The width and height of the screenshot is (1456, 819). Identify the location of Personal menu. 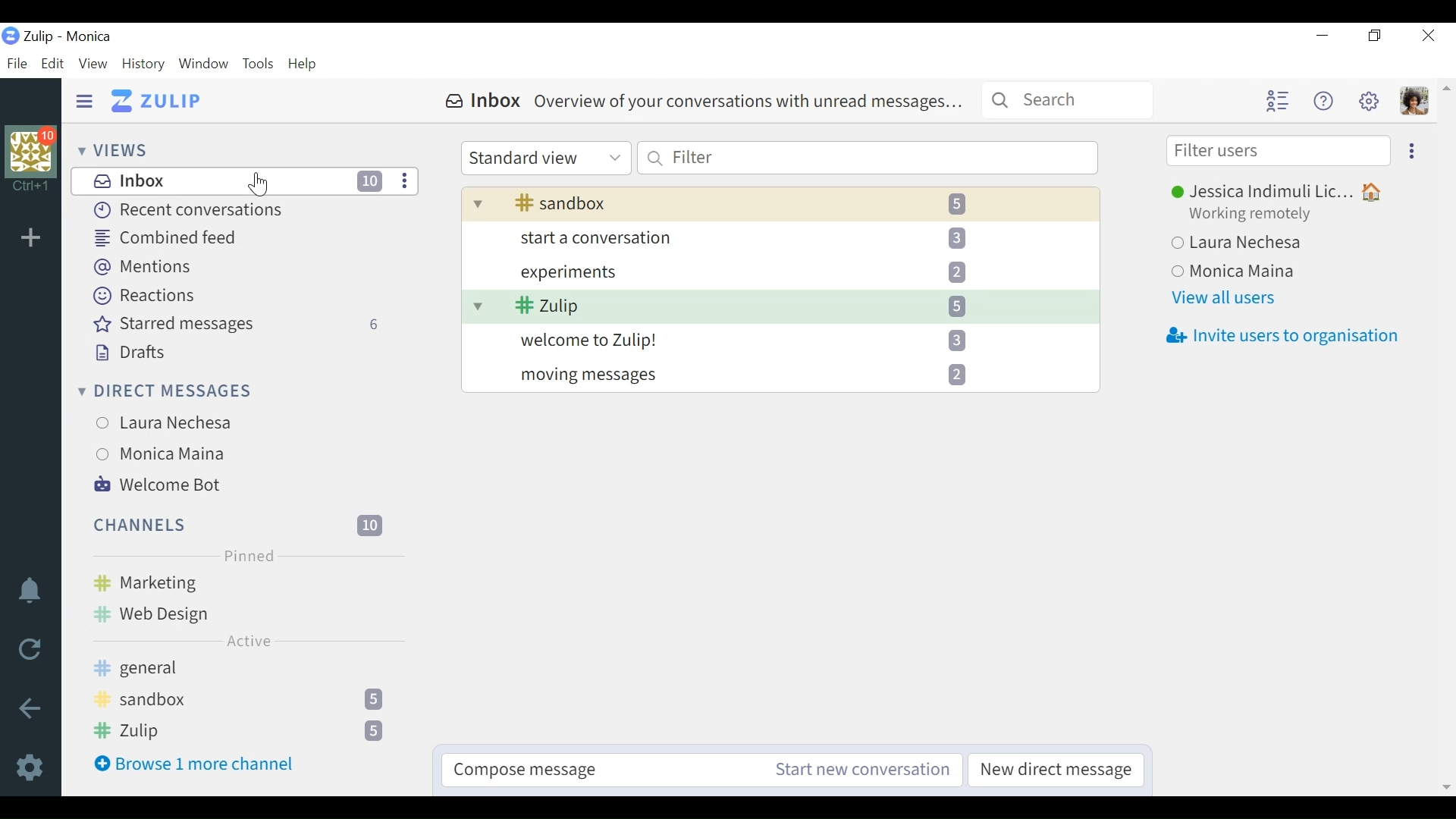
(1417, 101).